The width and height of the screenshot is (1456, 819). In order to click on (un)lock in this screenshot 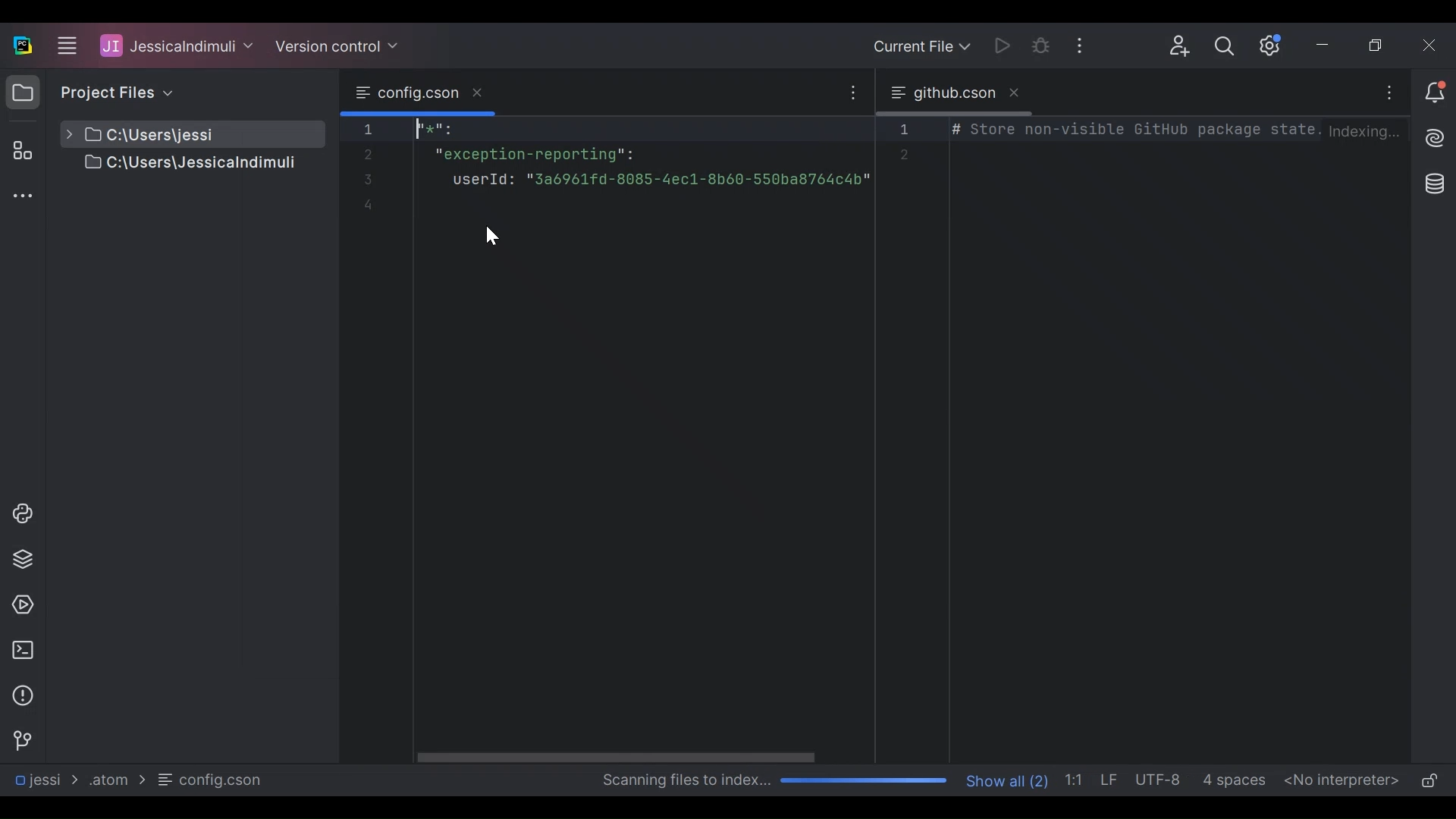, I will do `click(1429, 782)`.